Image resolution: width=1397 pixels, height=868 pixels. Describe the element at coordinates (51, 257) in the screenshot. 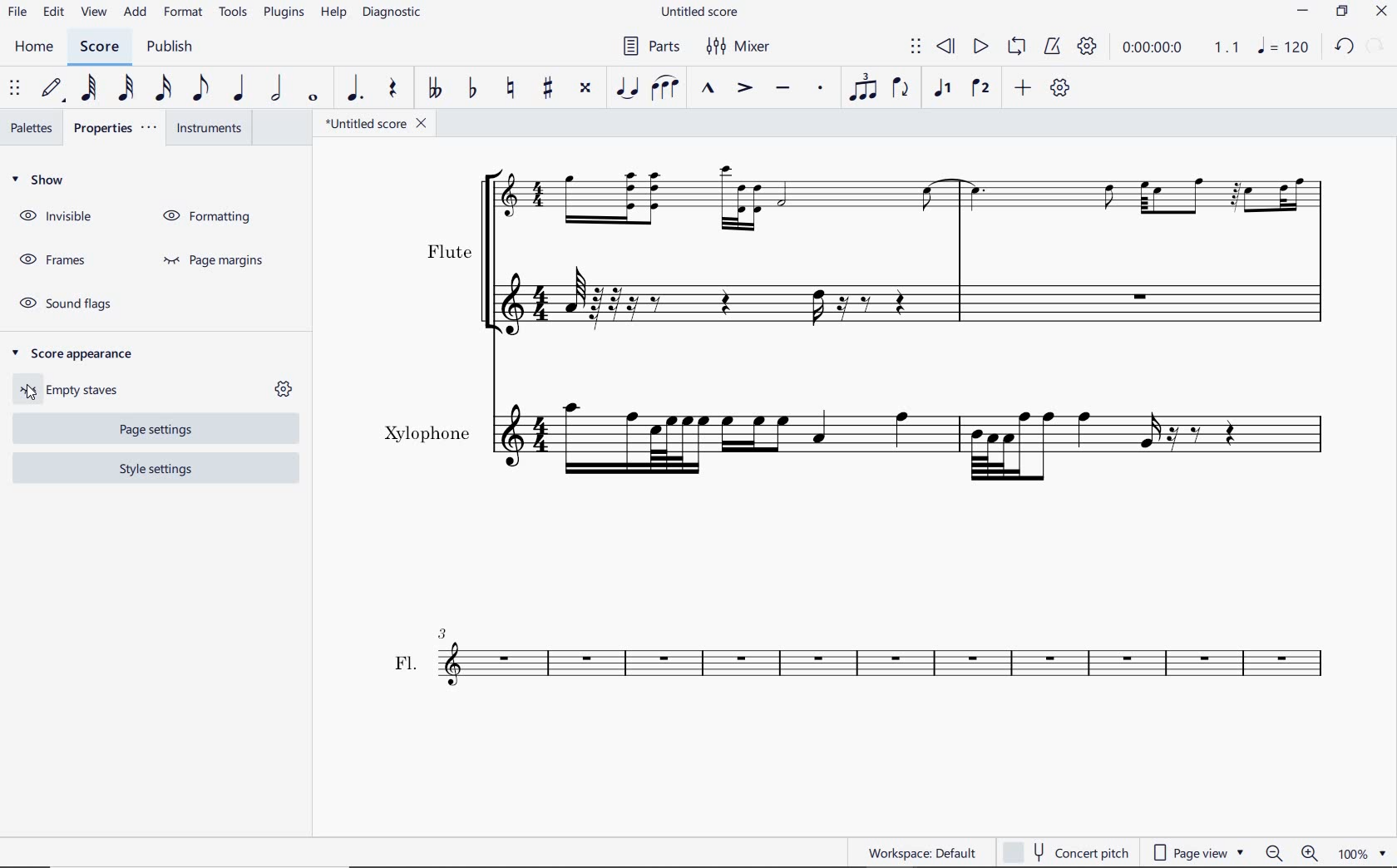

I see `FRAMES` at that location.